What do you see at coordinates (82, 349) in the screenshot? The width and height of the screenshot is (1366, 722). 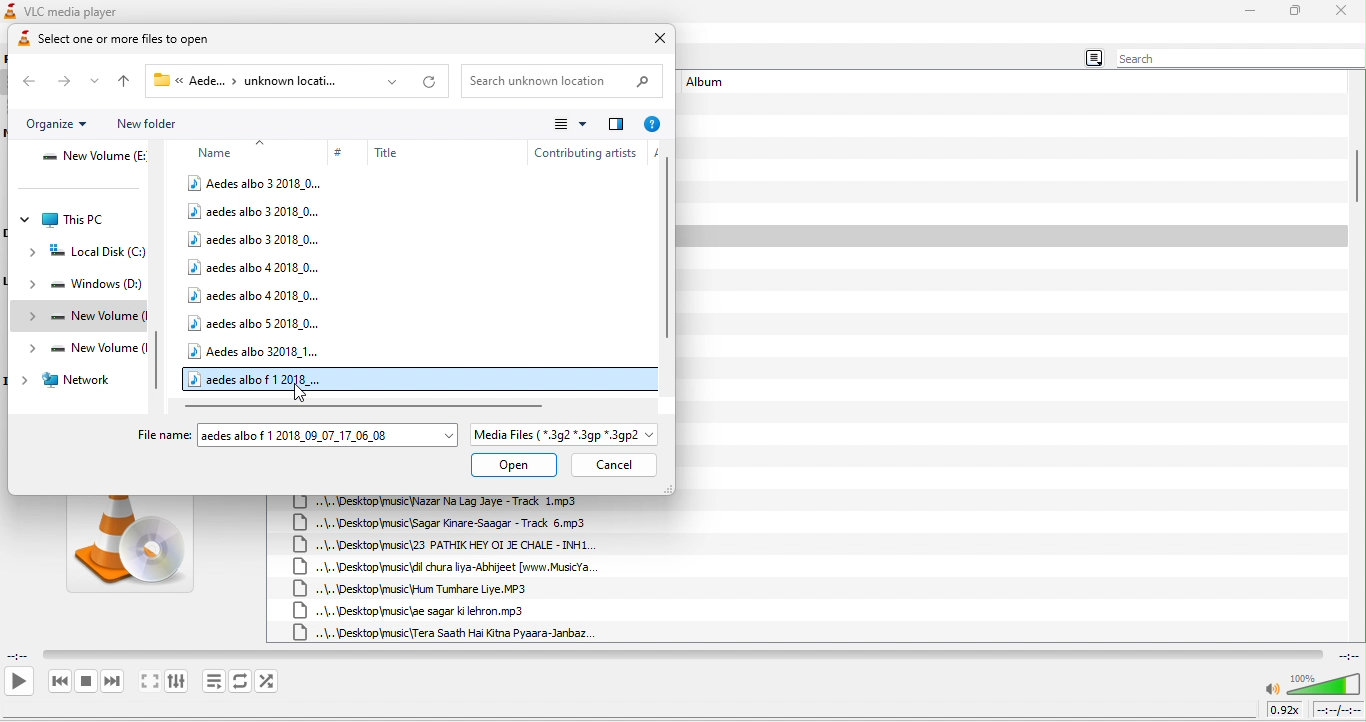 I see `new volume (I` at bounding box center [82, 349].